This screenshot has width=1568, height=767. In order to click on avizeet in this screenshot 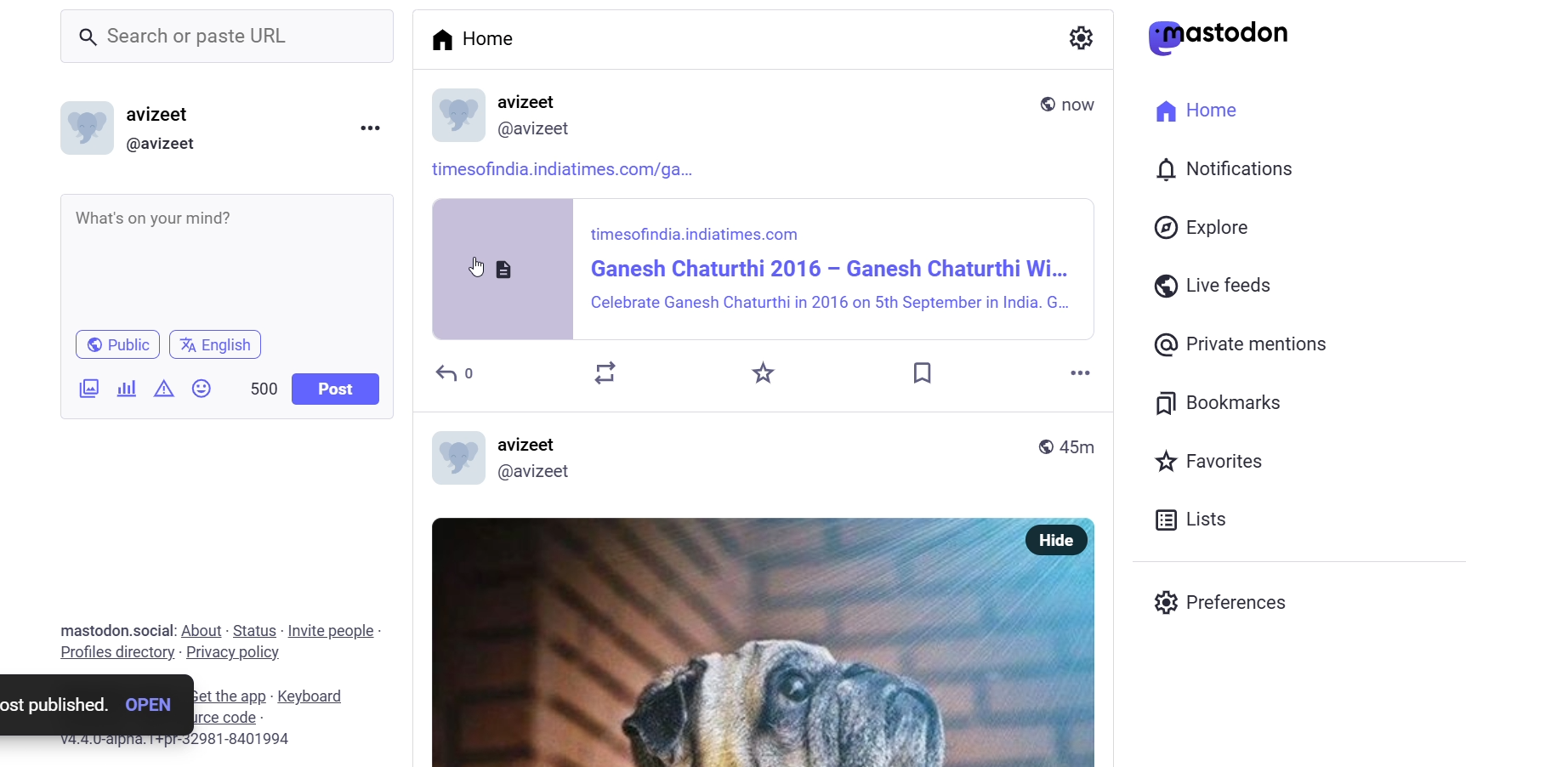, I will do `click(548, 470)`.